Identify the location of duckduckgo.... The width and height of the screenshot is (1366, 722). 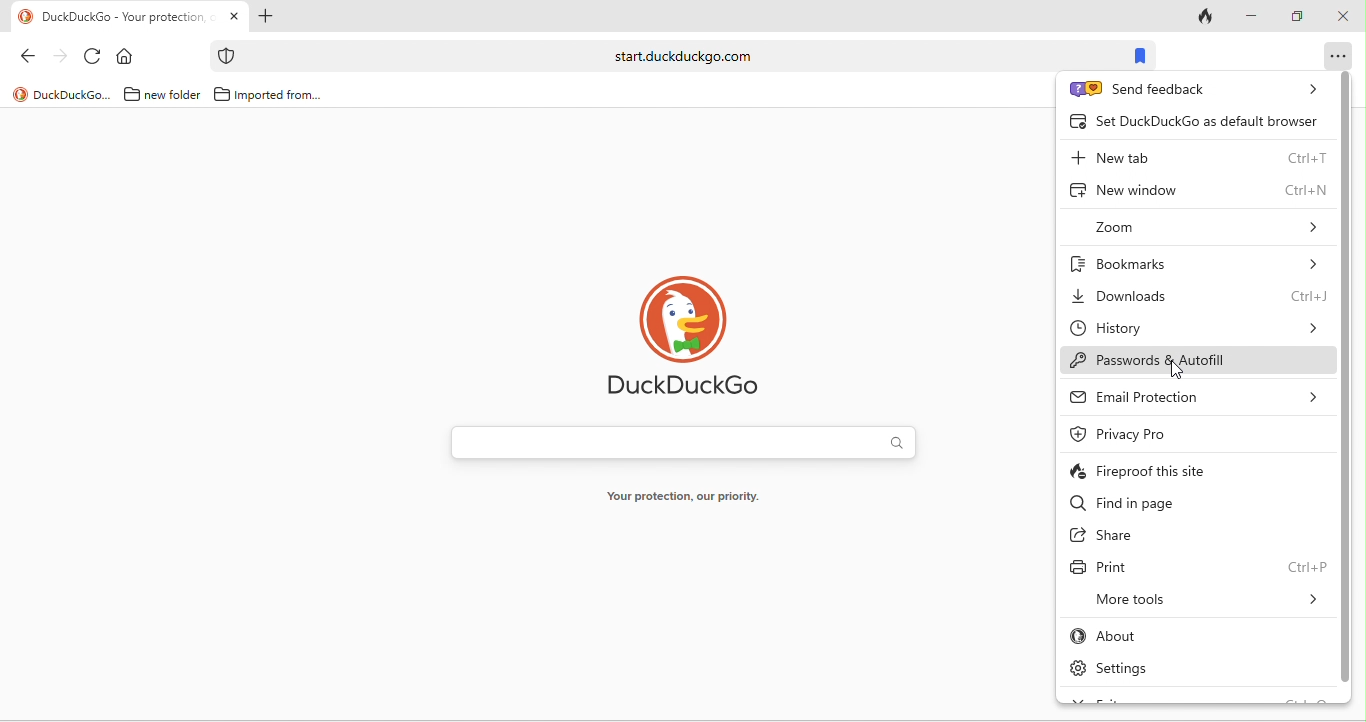
(62, 94).